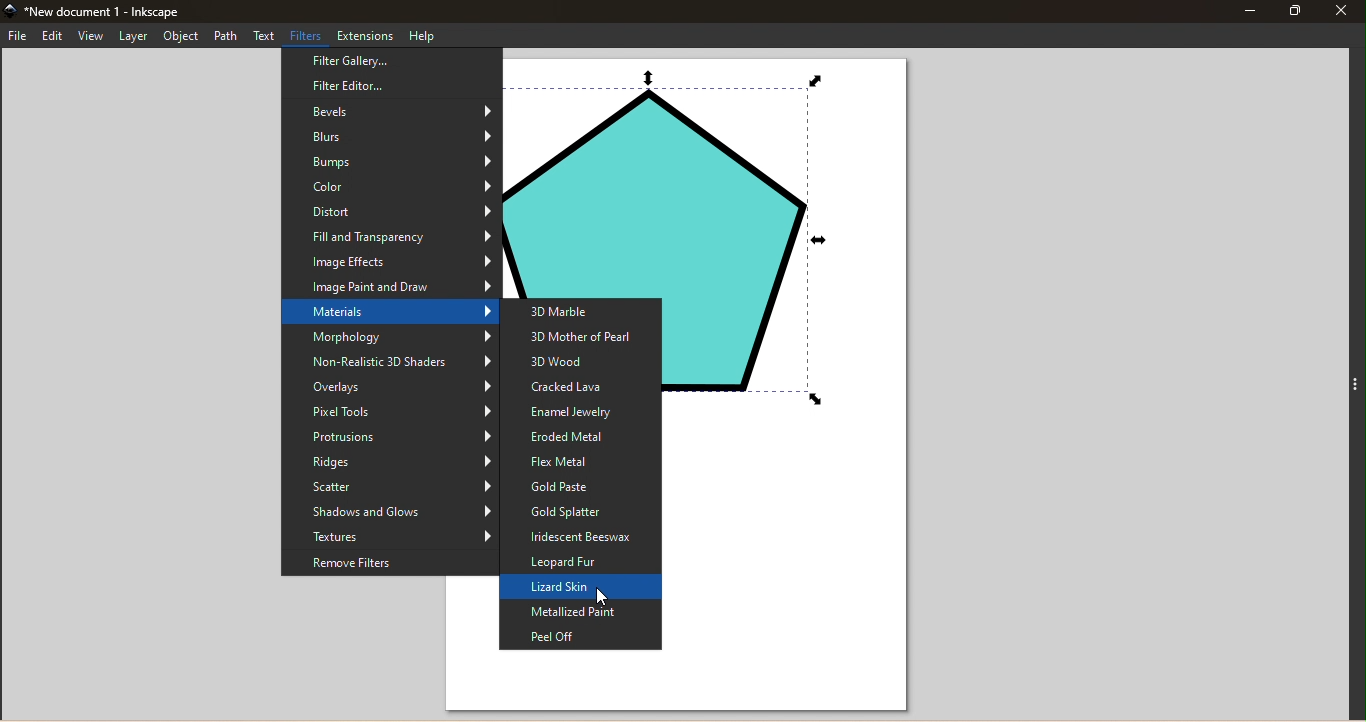 Image resolution: width=1366 pixels, height=722 pixels. What do you see at coordinates (389, 337) in the screenshot?
I see `Morphology` at bounding box center [389, 337].